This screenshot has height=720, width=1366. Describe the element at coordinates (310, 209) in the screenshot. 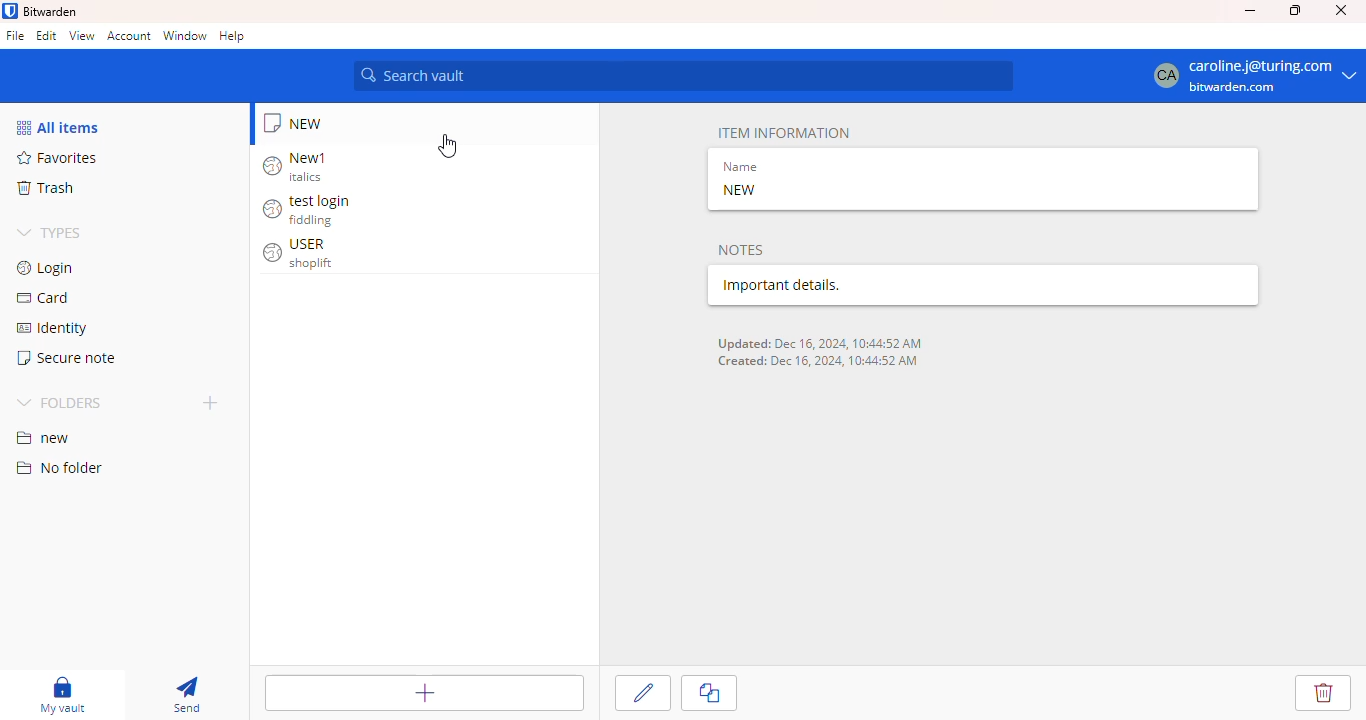

I see `"test login" login entry` at that location.